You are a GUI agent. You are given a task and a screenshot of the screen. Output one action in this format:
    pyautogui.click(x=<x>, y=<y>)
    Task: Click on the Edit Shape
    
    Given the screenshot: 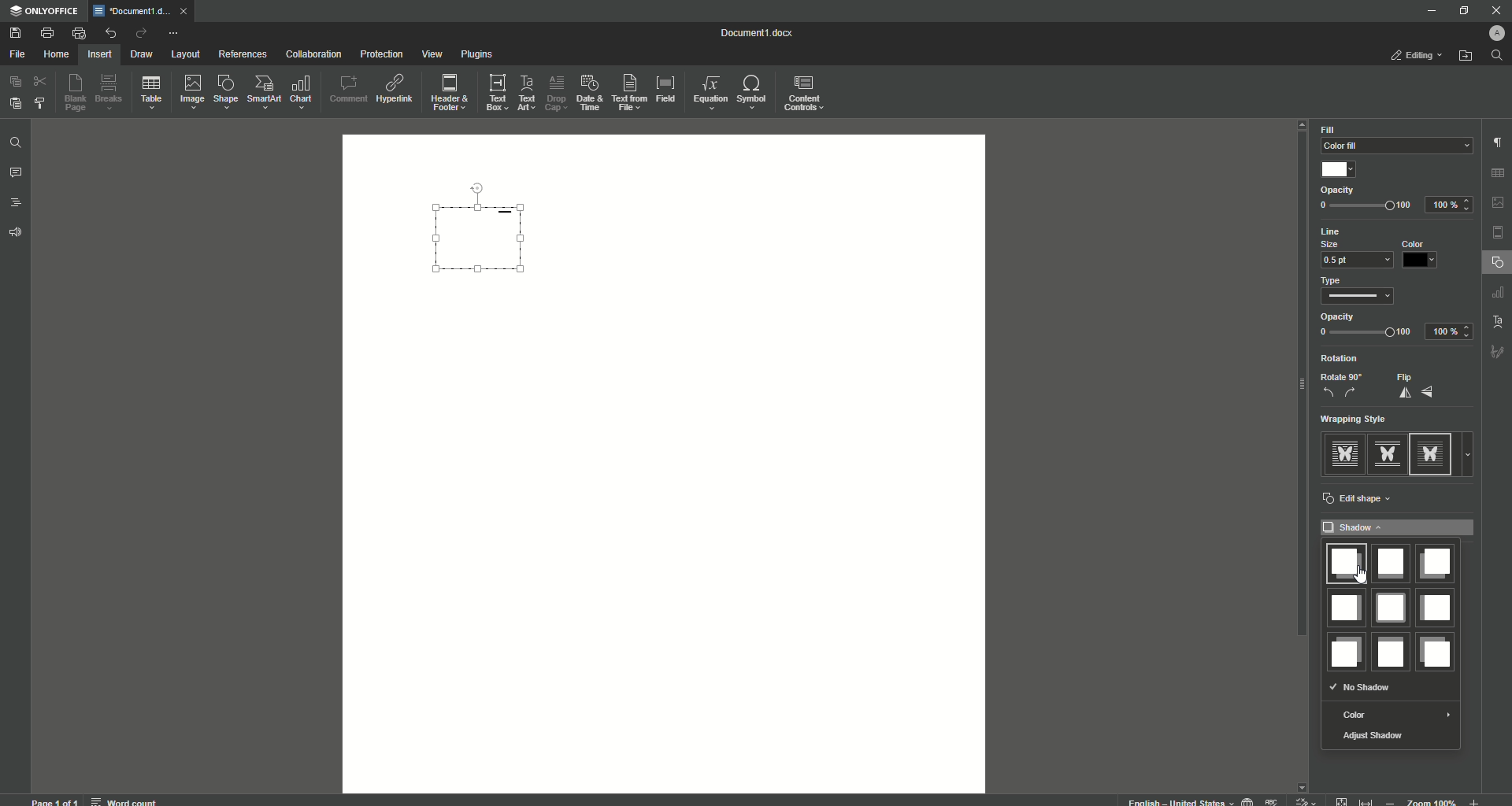 What is the action you would take?
    pyautogui.click(x=1360, y=499)
    